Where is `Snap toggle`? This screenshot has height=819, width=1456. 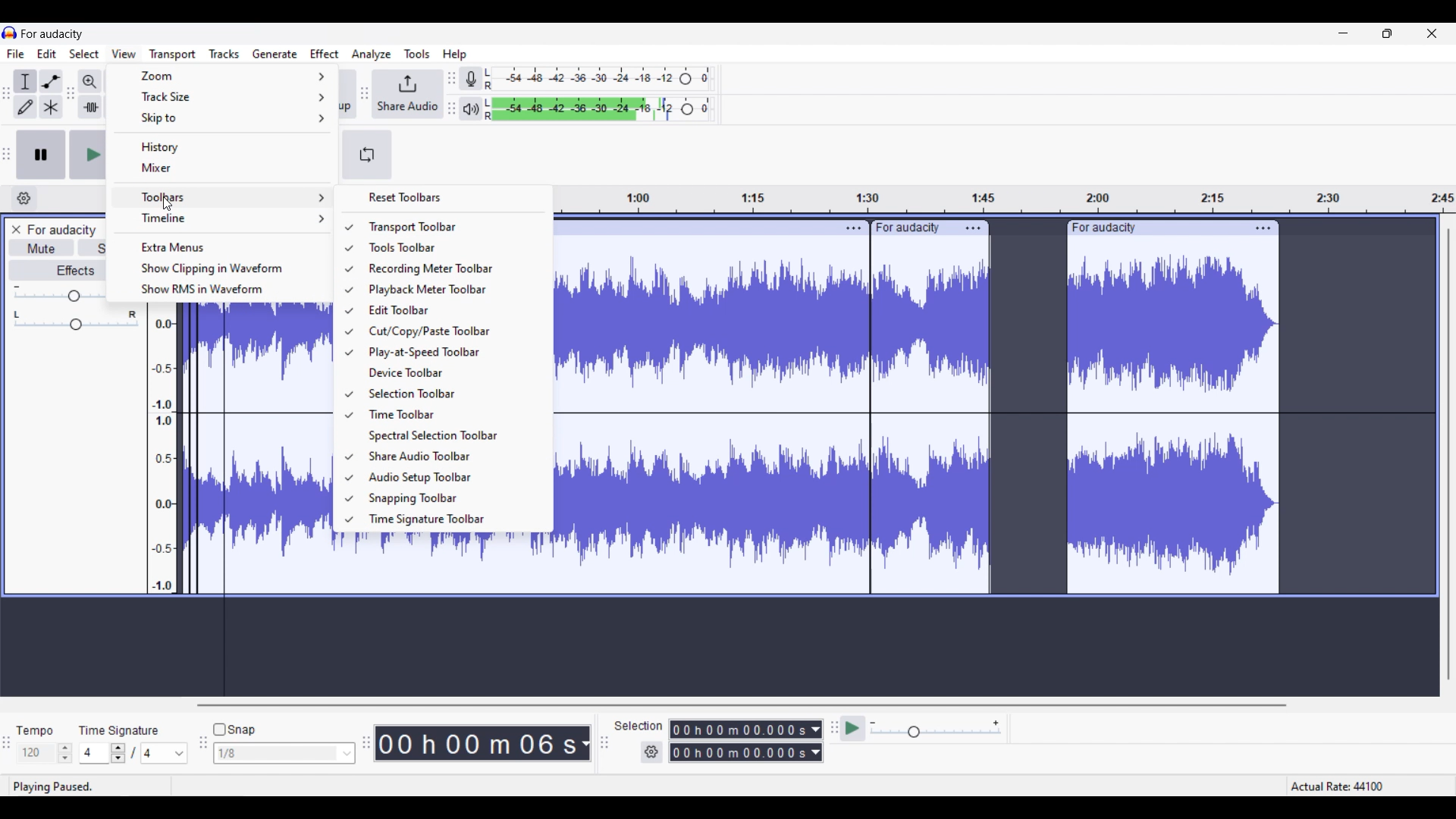
Snap toggle is located at coordinates (234, 730).